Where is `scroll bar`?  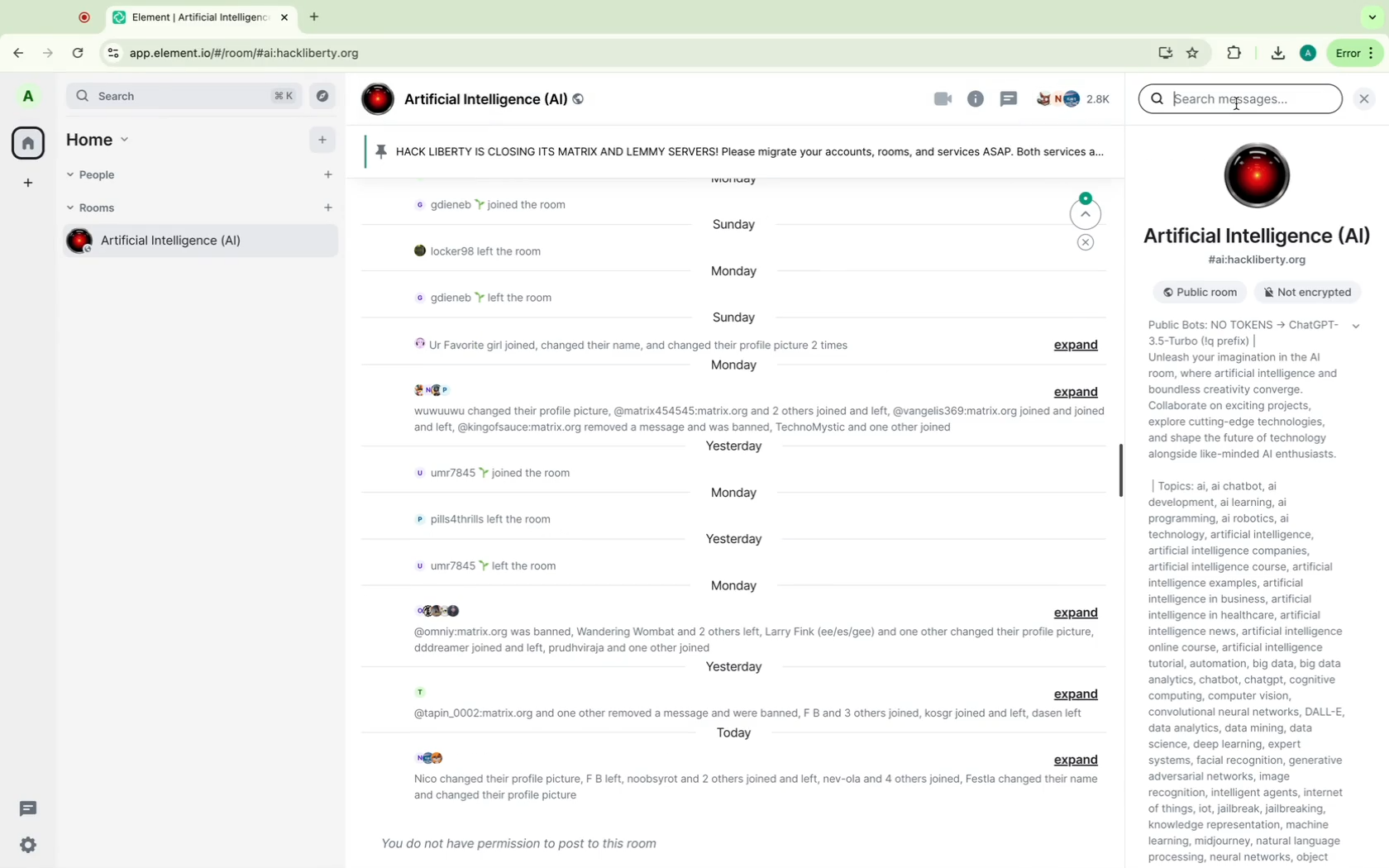 scroll bar is located at coordinates (1119, 470).